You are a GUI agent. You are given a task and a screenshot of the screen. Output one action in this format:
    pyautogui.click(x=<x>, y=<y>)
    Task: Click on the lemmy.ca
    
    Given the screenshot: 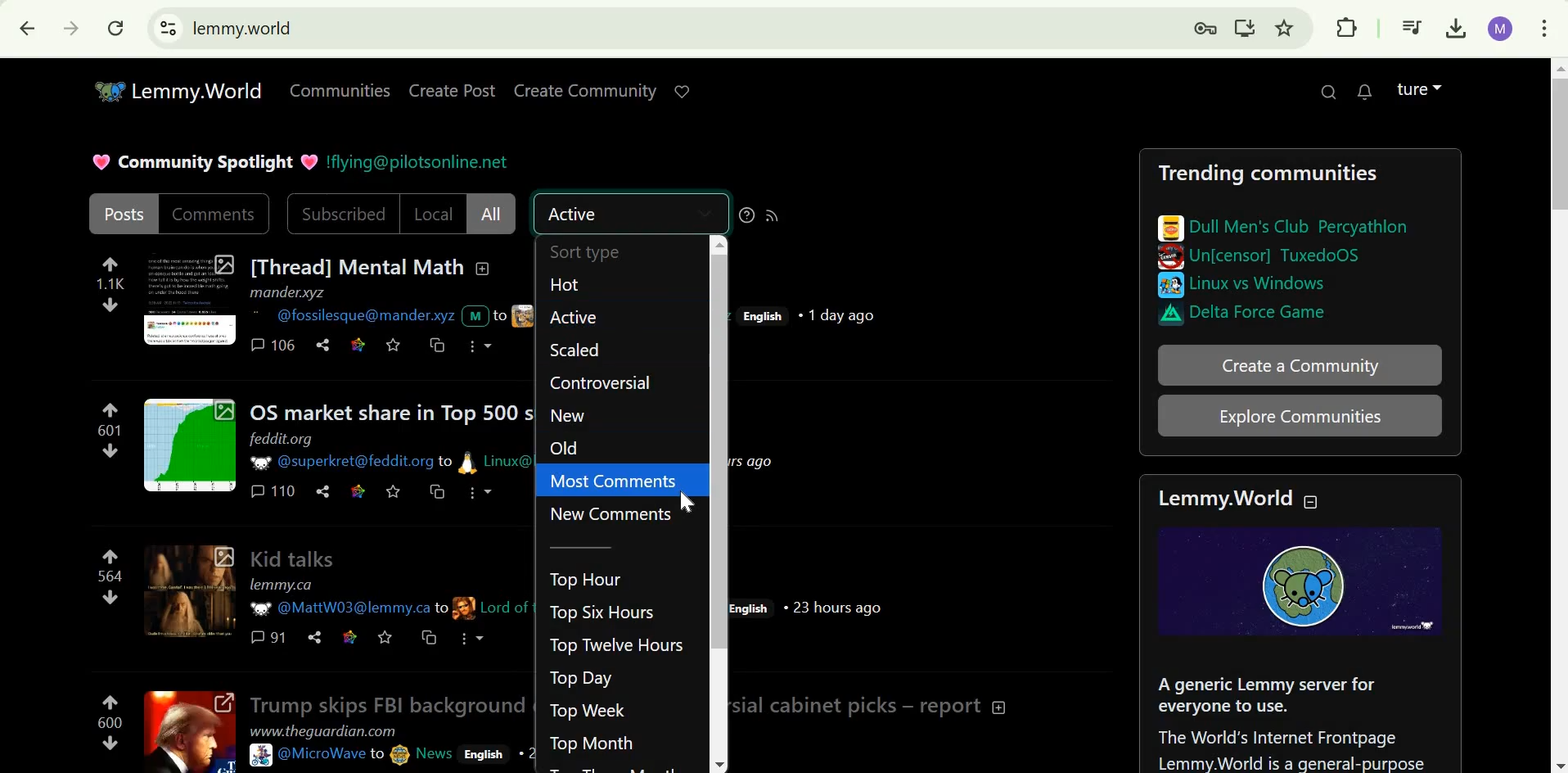 What is the action you would take?
    pyautogui.click(x=282, y=585)
    